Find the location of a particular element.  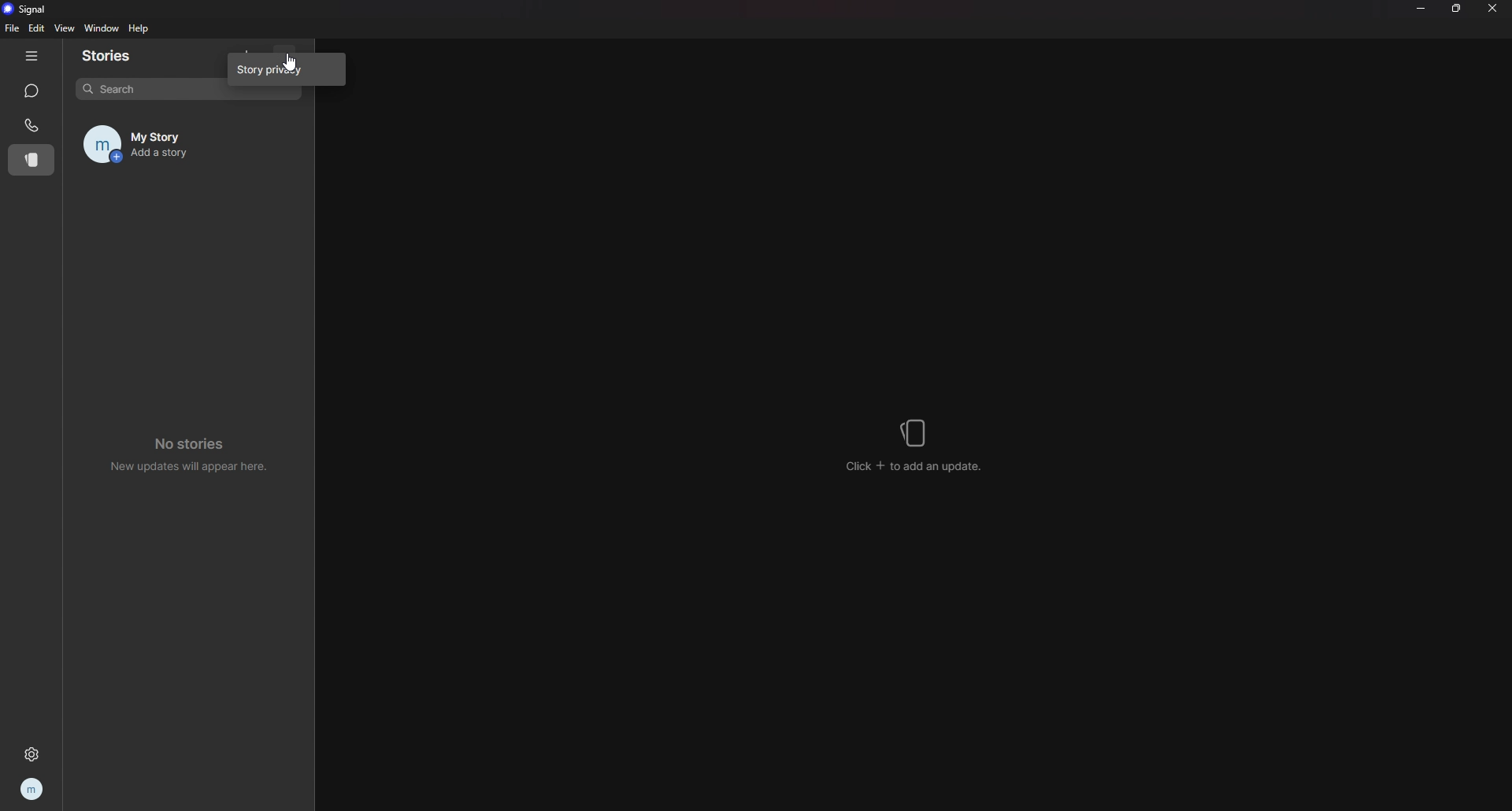

click + to add an update is located at coordinates (914, 466).